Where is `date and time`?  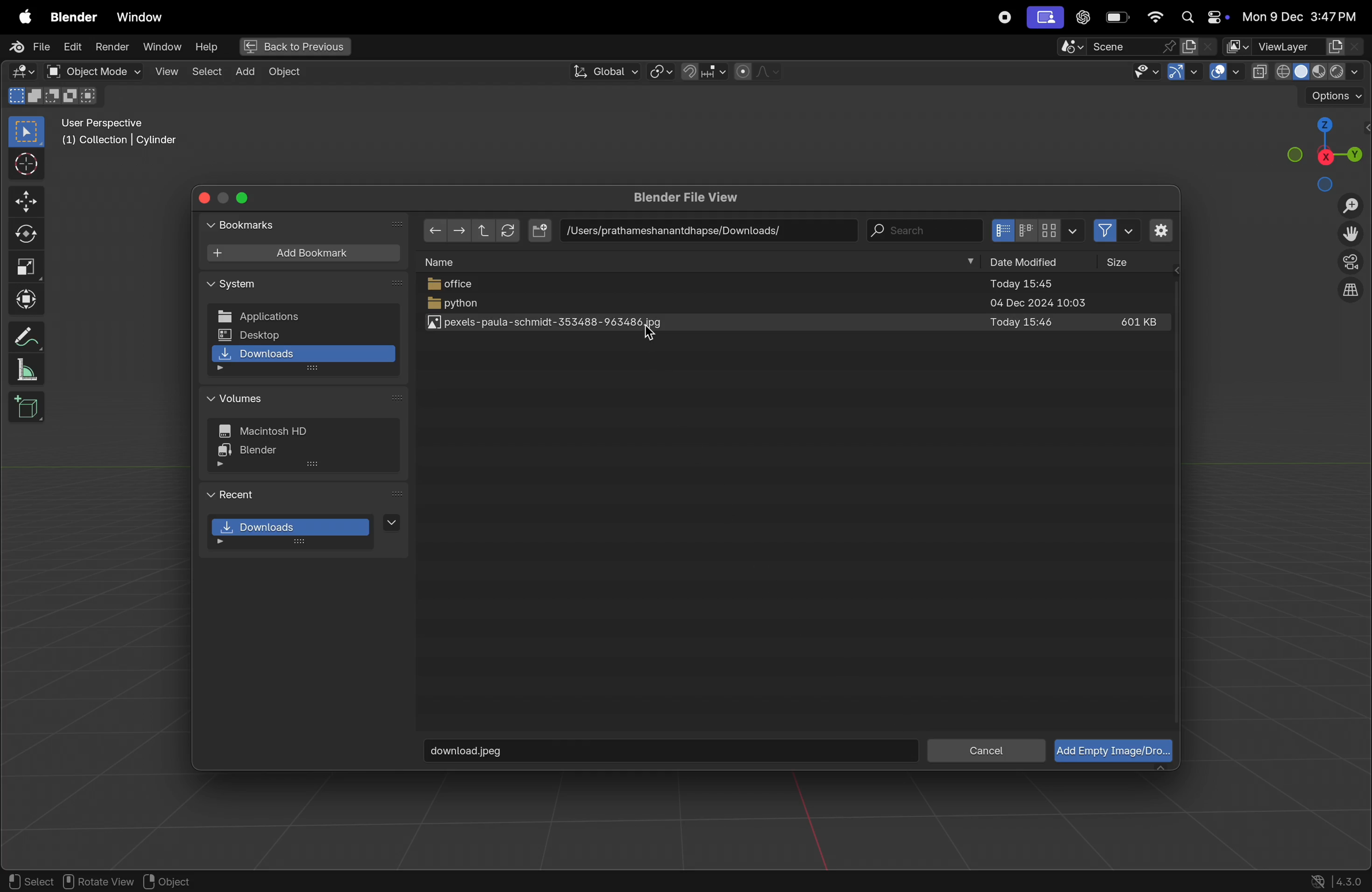
date and time is located at coordinates (1299, 17).